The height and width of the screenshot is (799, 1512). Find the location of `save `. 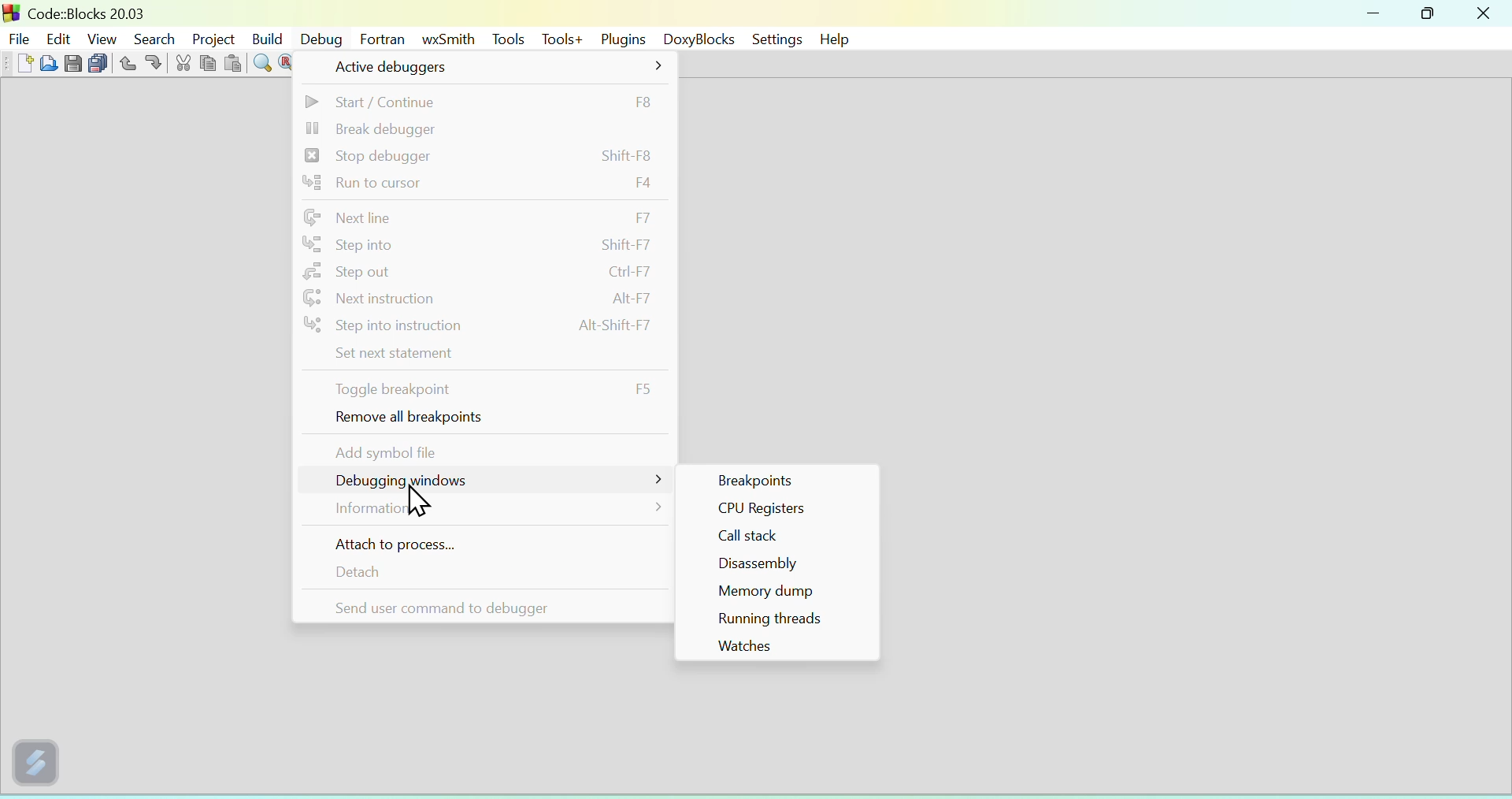

save  is located at coordinates (71, 64).